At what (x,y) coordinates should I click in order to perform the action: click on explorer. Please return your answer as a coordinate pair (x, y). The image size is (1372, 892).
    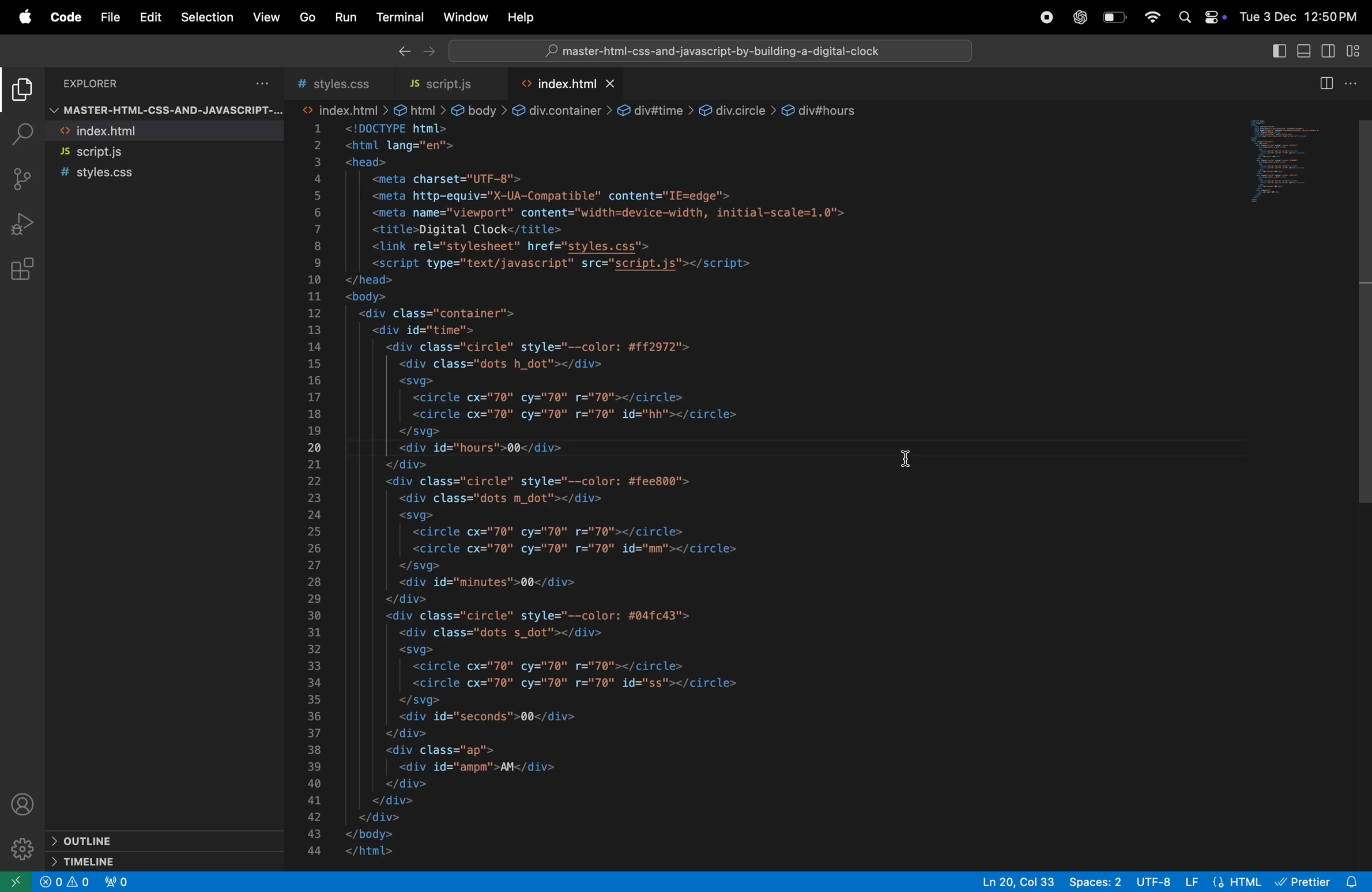
    Looking at the image, I should click on (94, 84).